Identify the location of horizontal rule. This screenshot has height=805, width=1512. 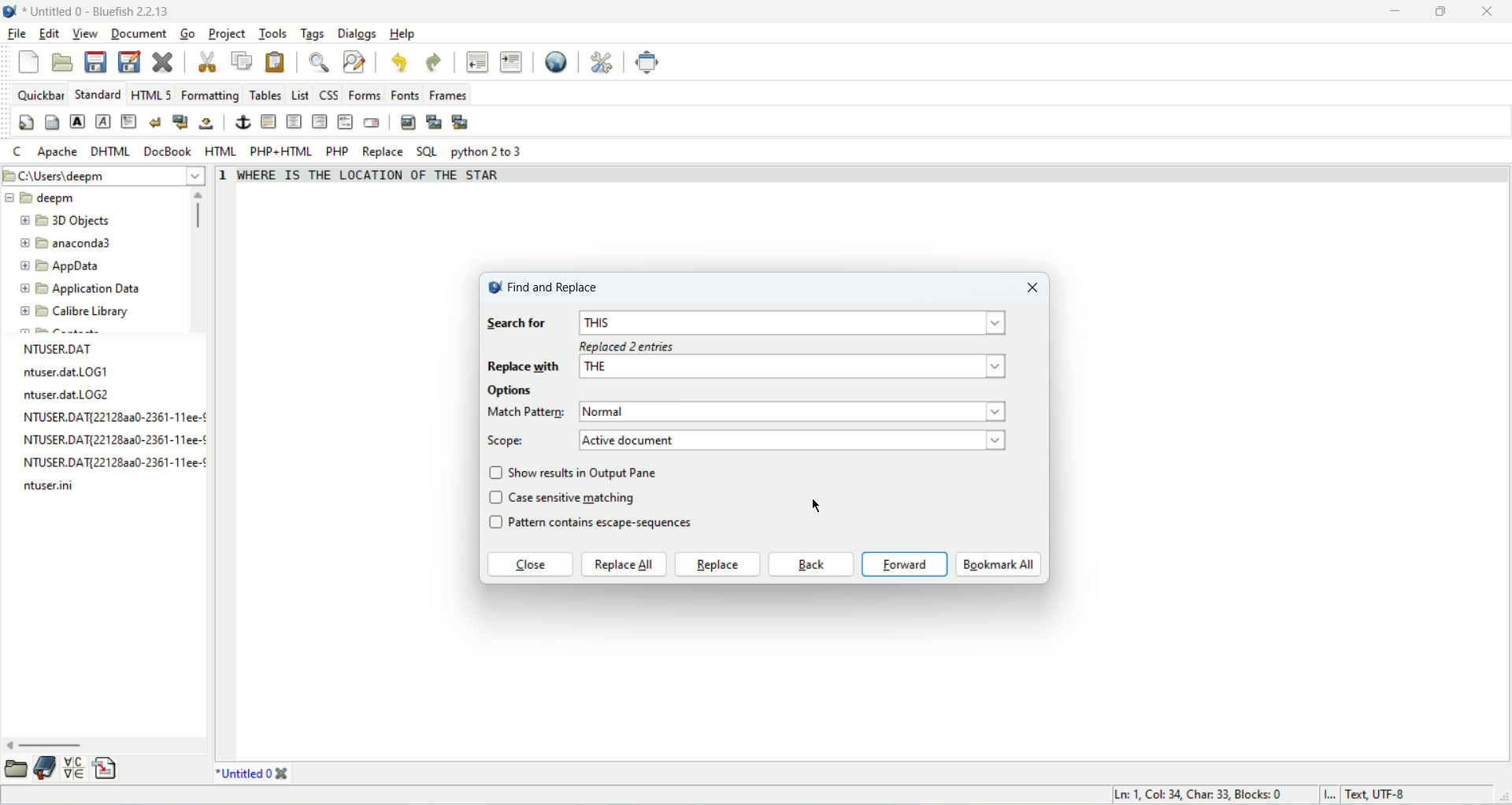
(270, 121).